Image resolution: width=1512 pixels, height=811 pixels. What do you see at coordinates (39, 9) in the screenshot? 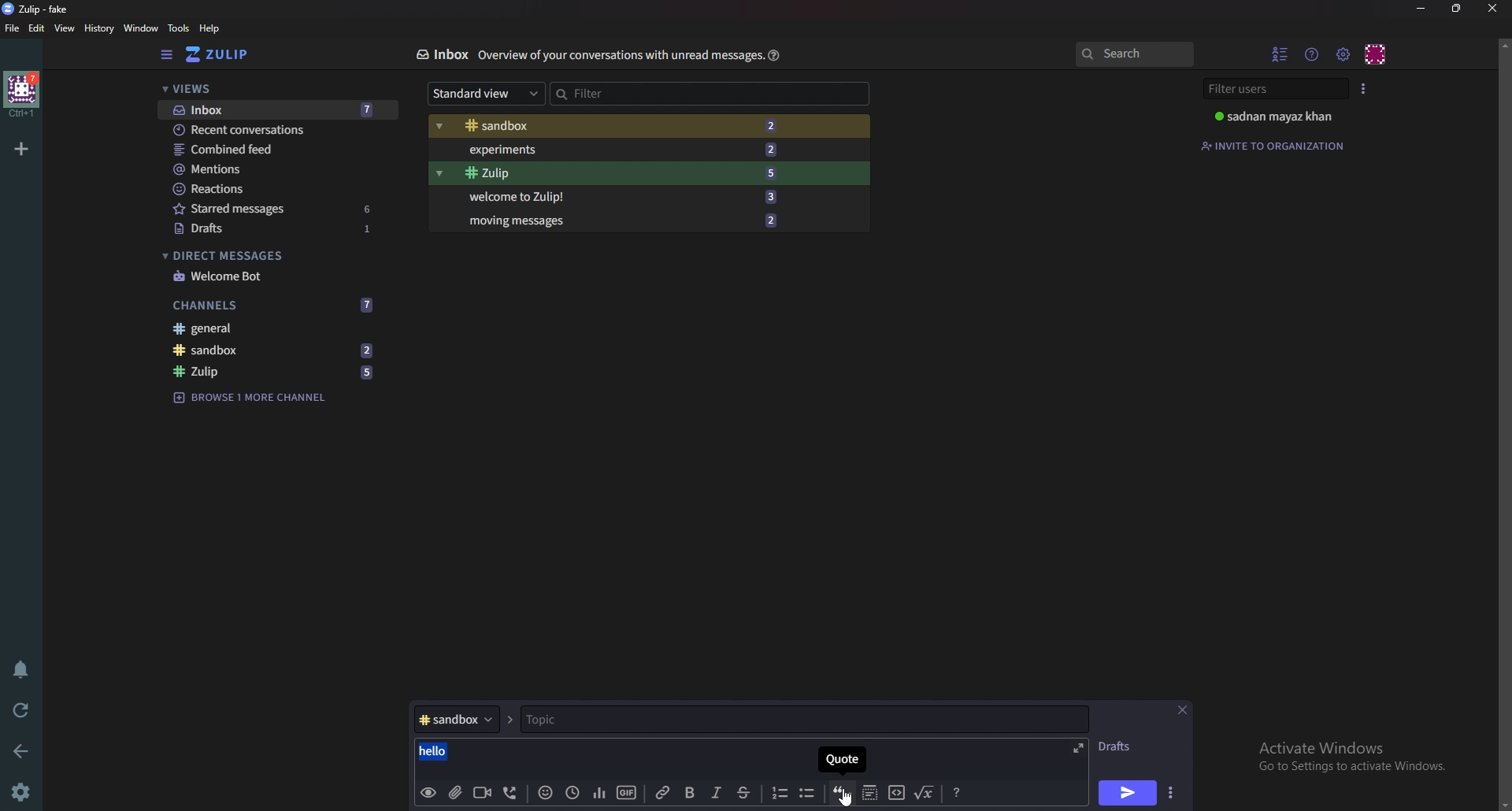
I see `zulip-fake` at bounding box center [39, 9].